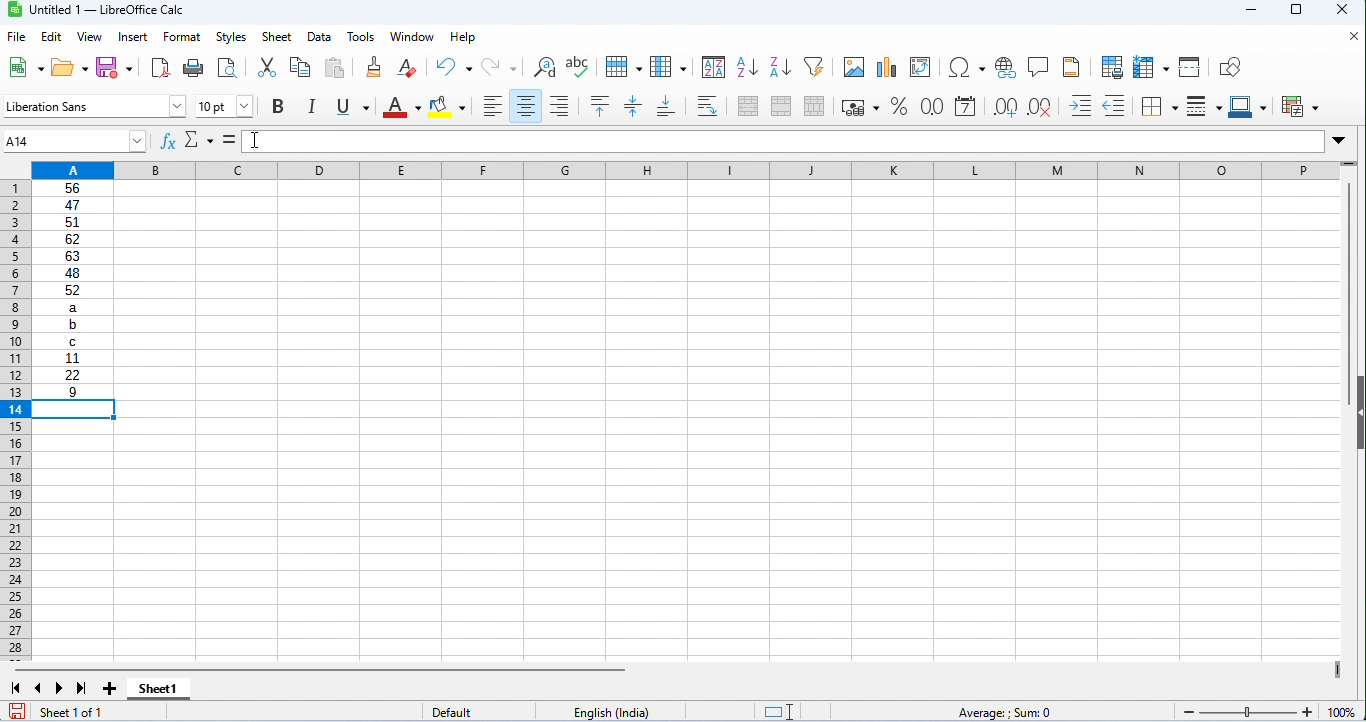  What do you see at coordinates (72, 256) in the screenshot?
I see `63` at bounding box center [72, 256].